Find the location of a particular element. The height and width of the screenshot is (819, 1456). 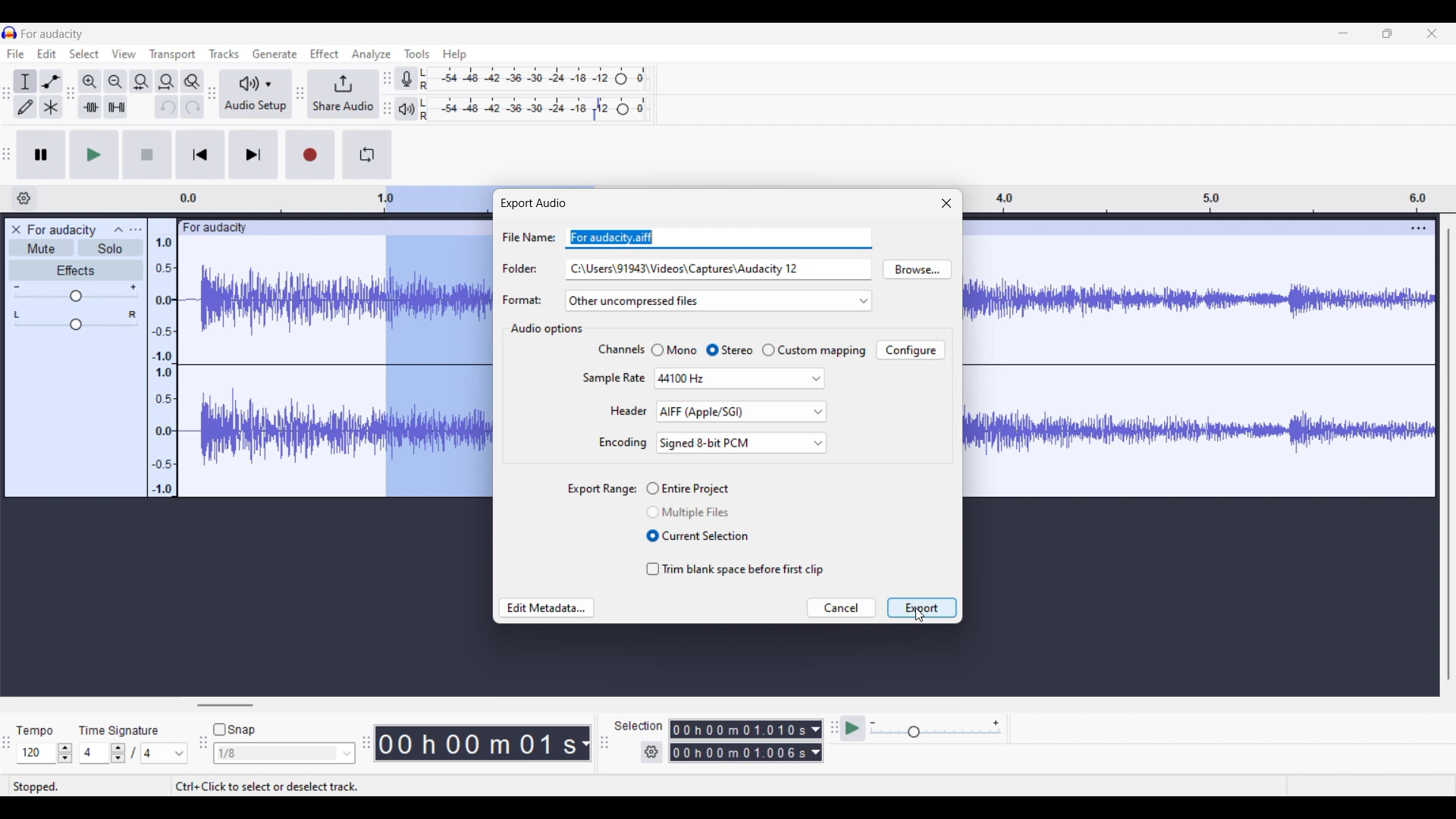

ctrl+click to select or deselect track. is located at coordinates (298, 783).